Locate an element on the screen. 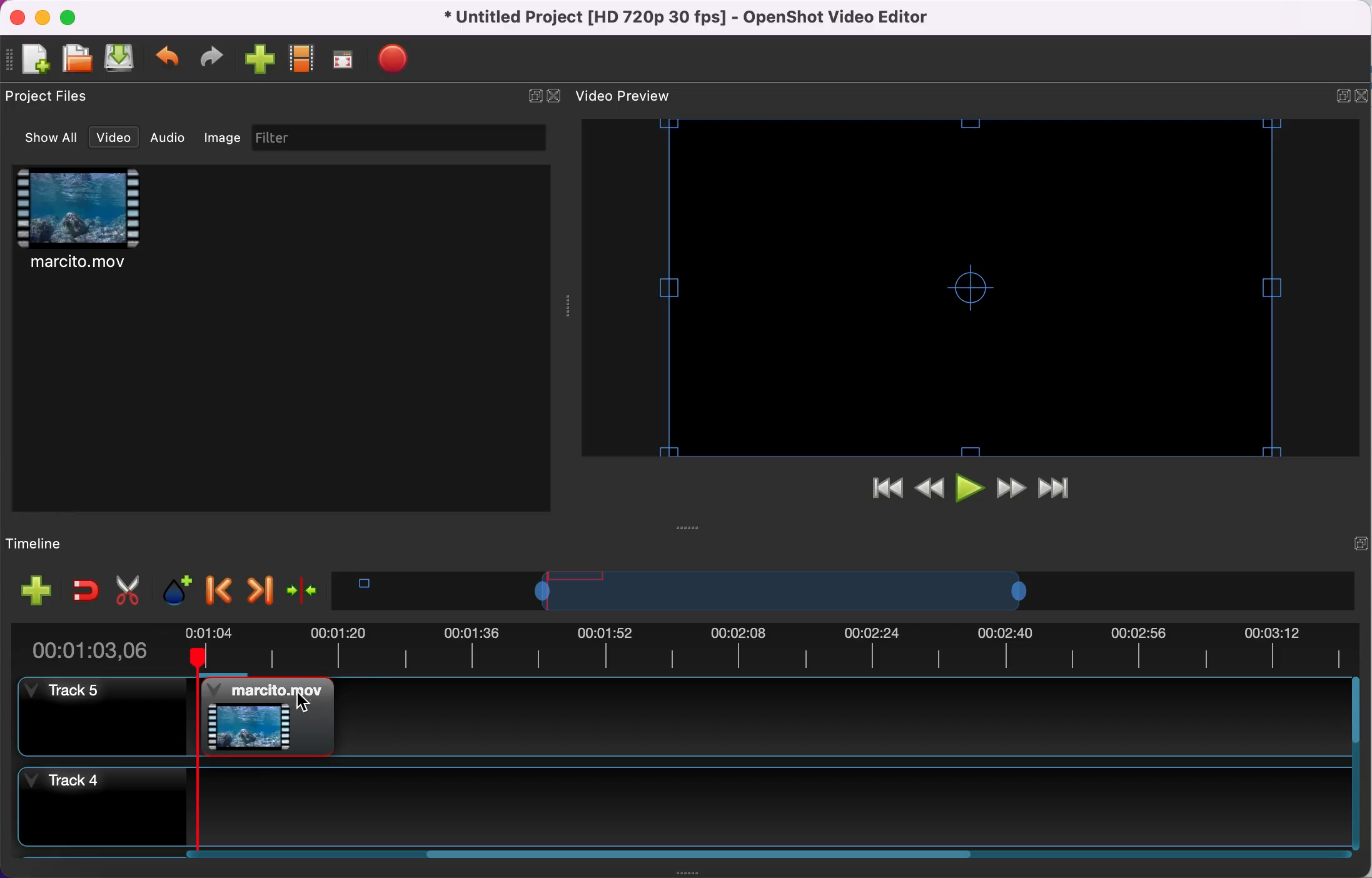 The image size is (1372, 878). expand/hide is located at coordinates (1321, 95).